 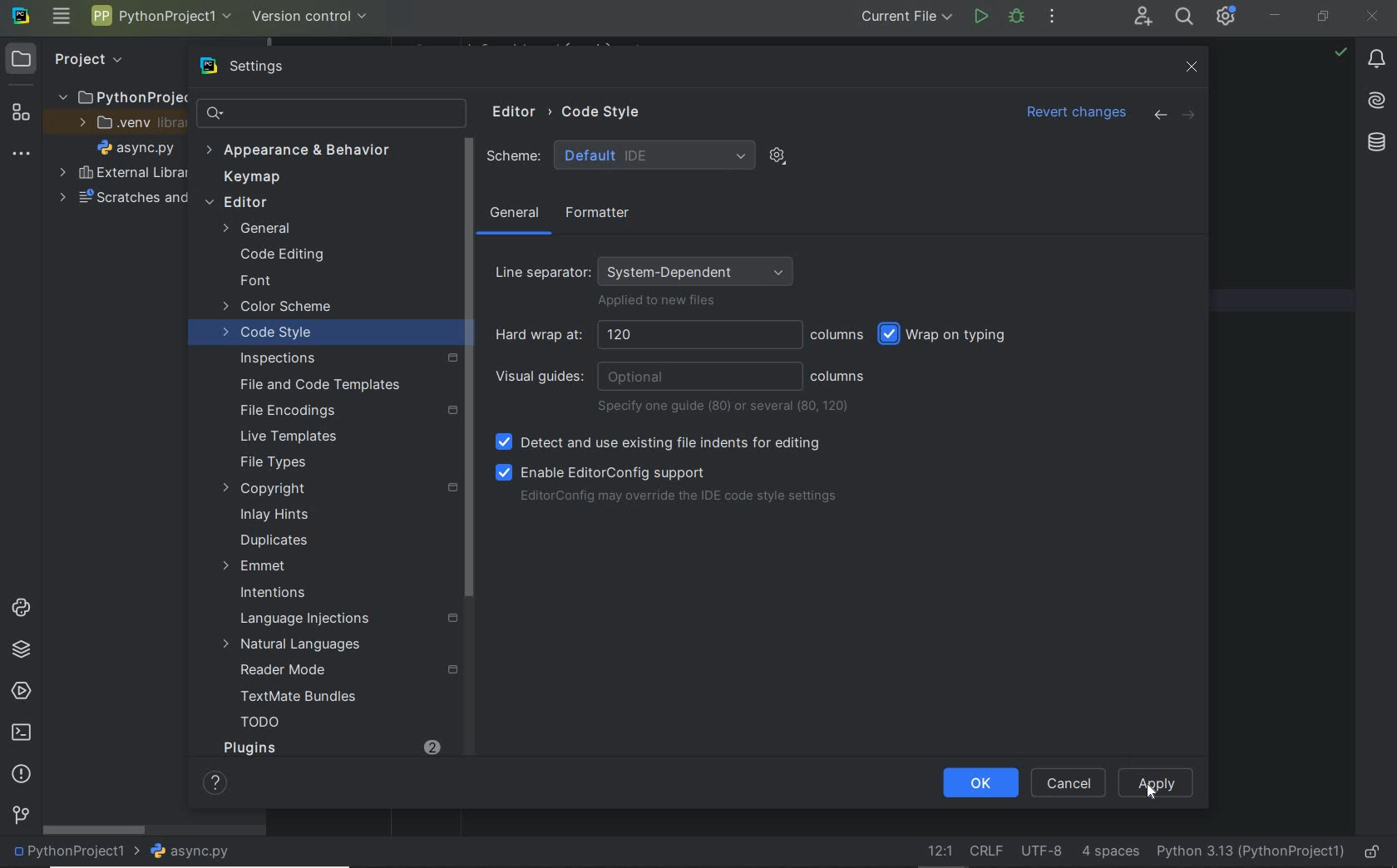 I want to click on forward, so click(x=1192, y=116).